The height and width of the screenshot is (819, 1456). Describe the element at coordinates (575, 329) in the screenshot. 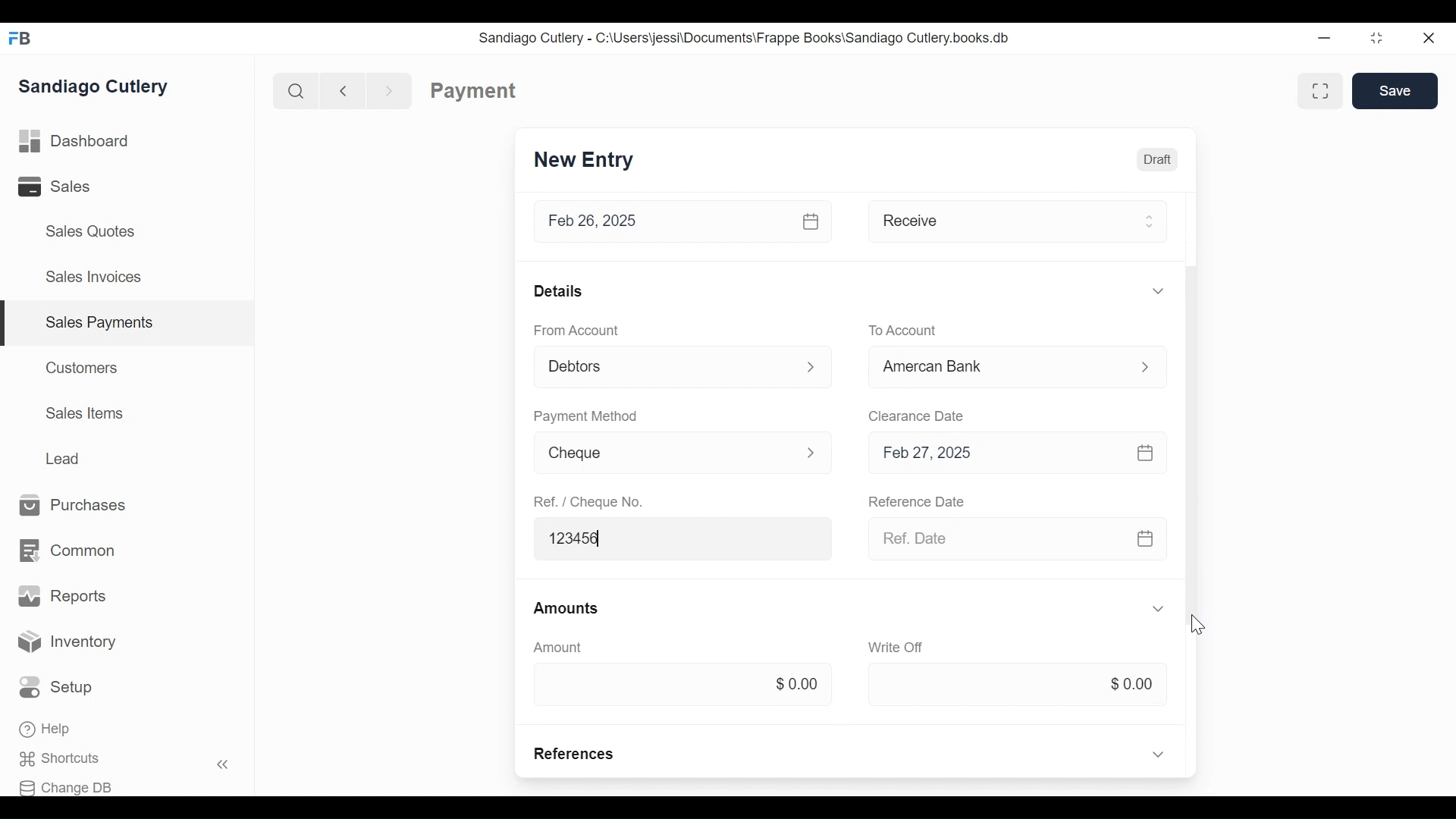

I see `From Account` at that location.